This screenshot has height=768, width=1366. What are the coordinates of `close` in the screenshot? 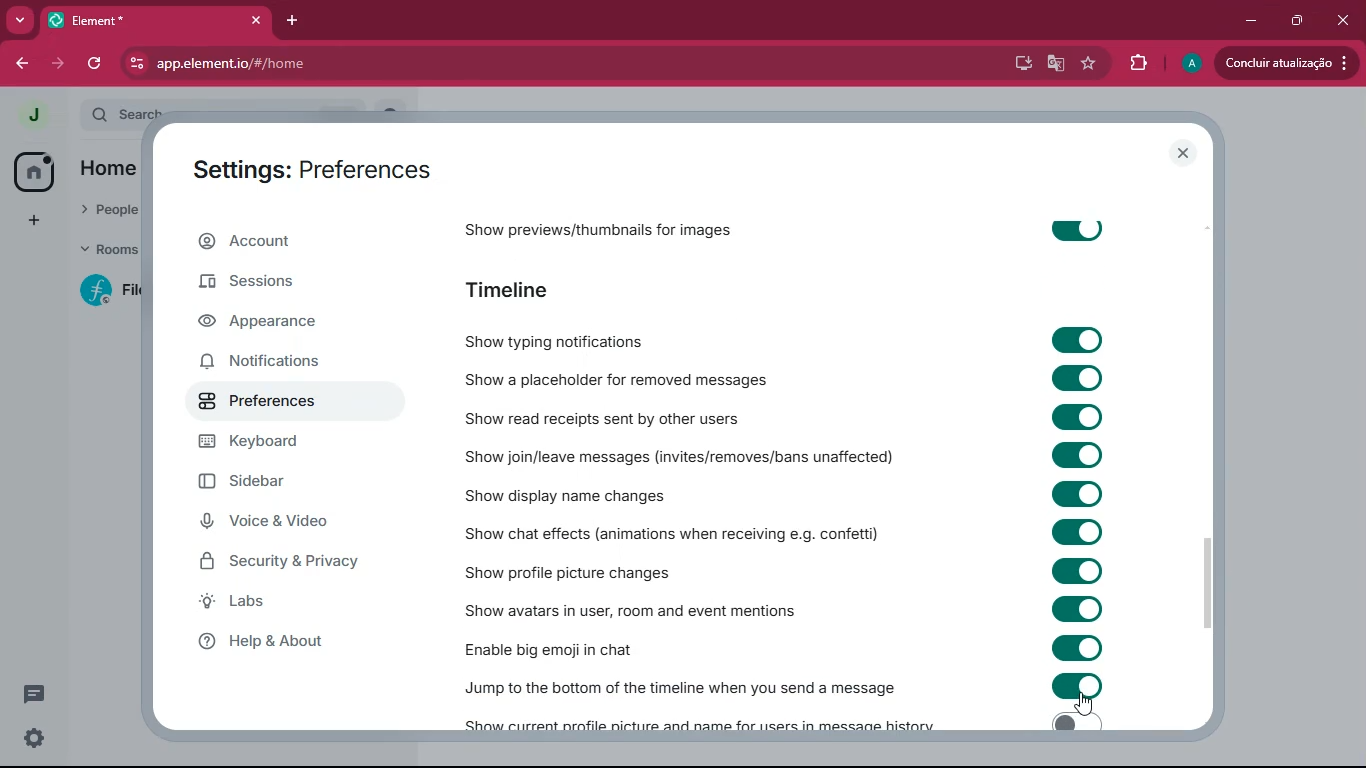 It's located at (1182, 151).